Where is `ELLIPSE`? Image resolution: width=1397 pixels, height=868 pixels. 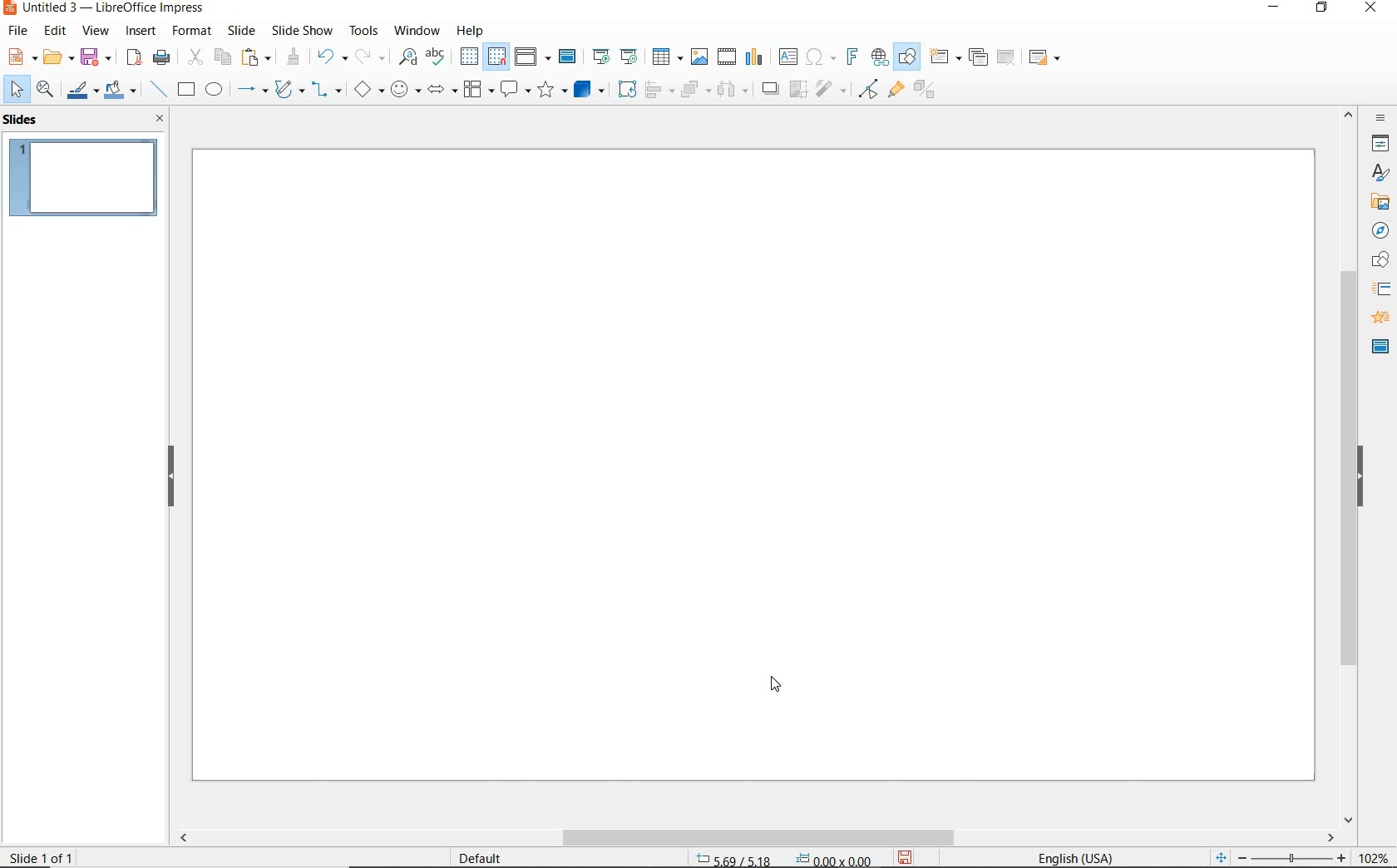
ELLIPSE is located at coordinates (215, 89).